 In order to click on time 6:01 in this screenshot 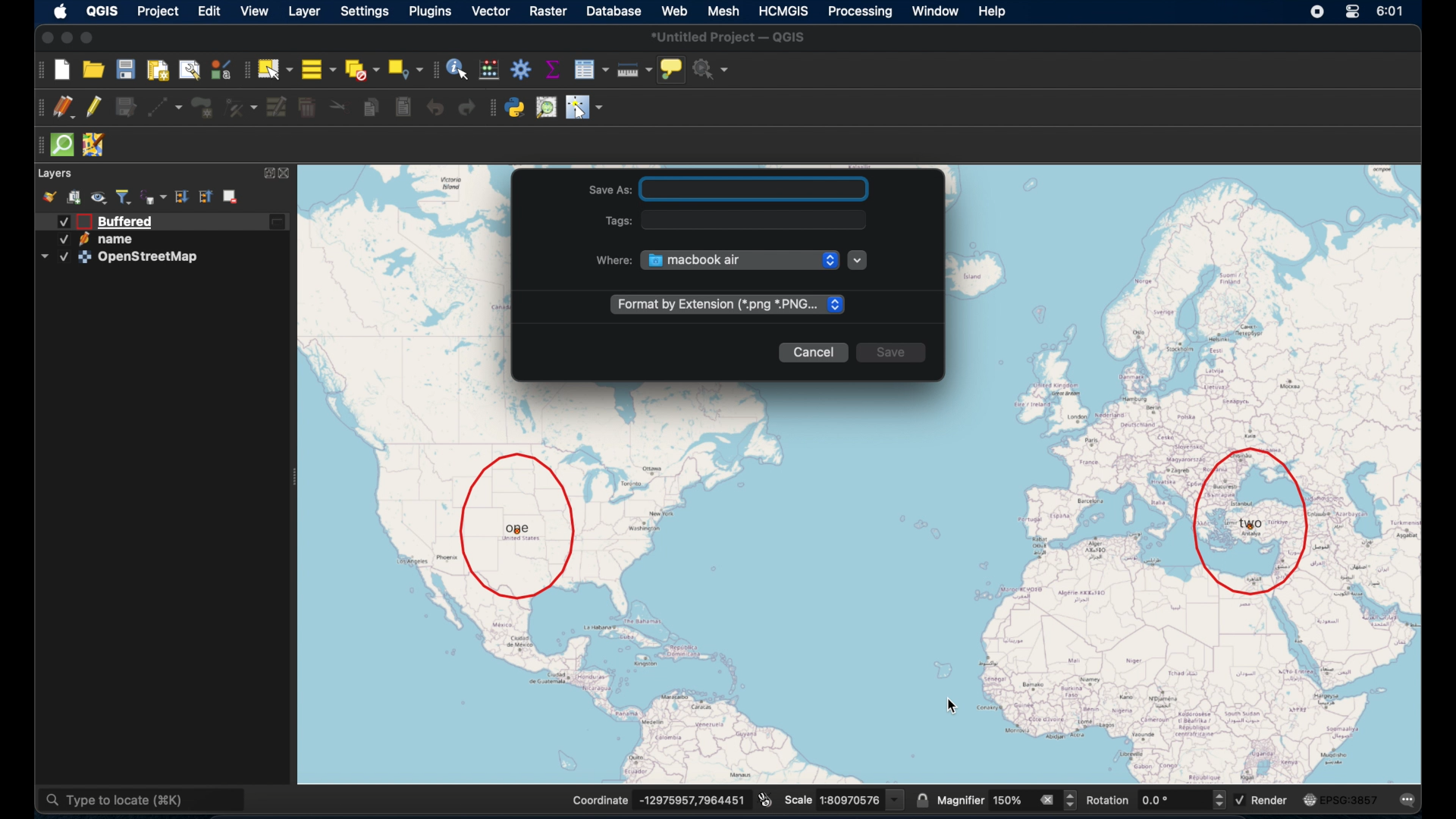, I will do `click(1389, 11)`.